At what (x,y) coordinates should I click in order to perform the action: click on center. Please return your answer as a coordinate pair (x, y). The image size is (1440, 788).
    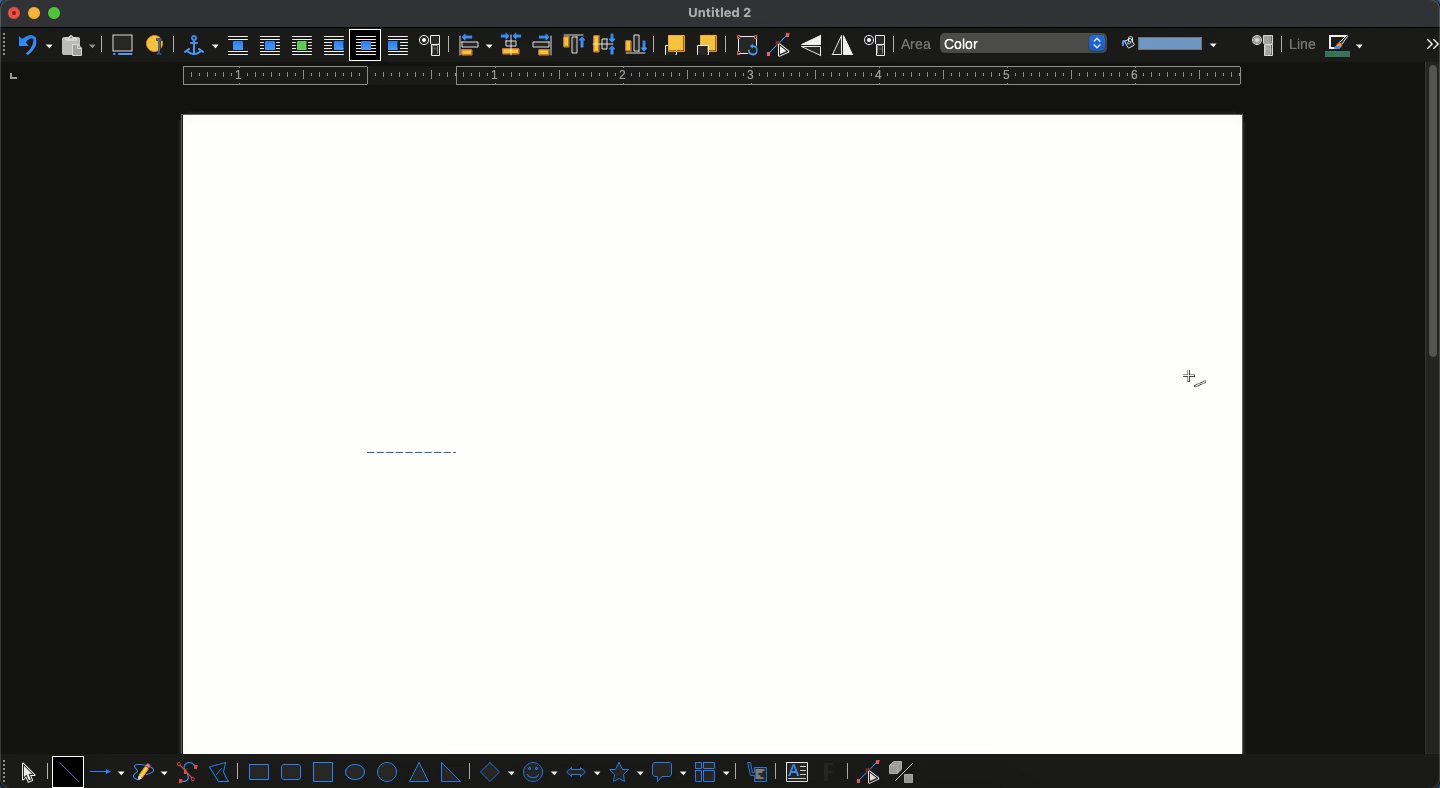
    Looking at the image, I should click on (605, 42).